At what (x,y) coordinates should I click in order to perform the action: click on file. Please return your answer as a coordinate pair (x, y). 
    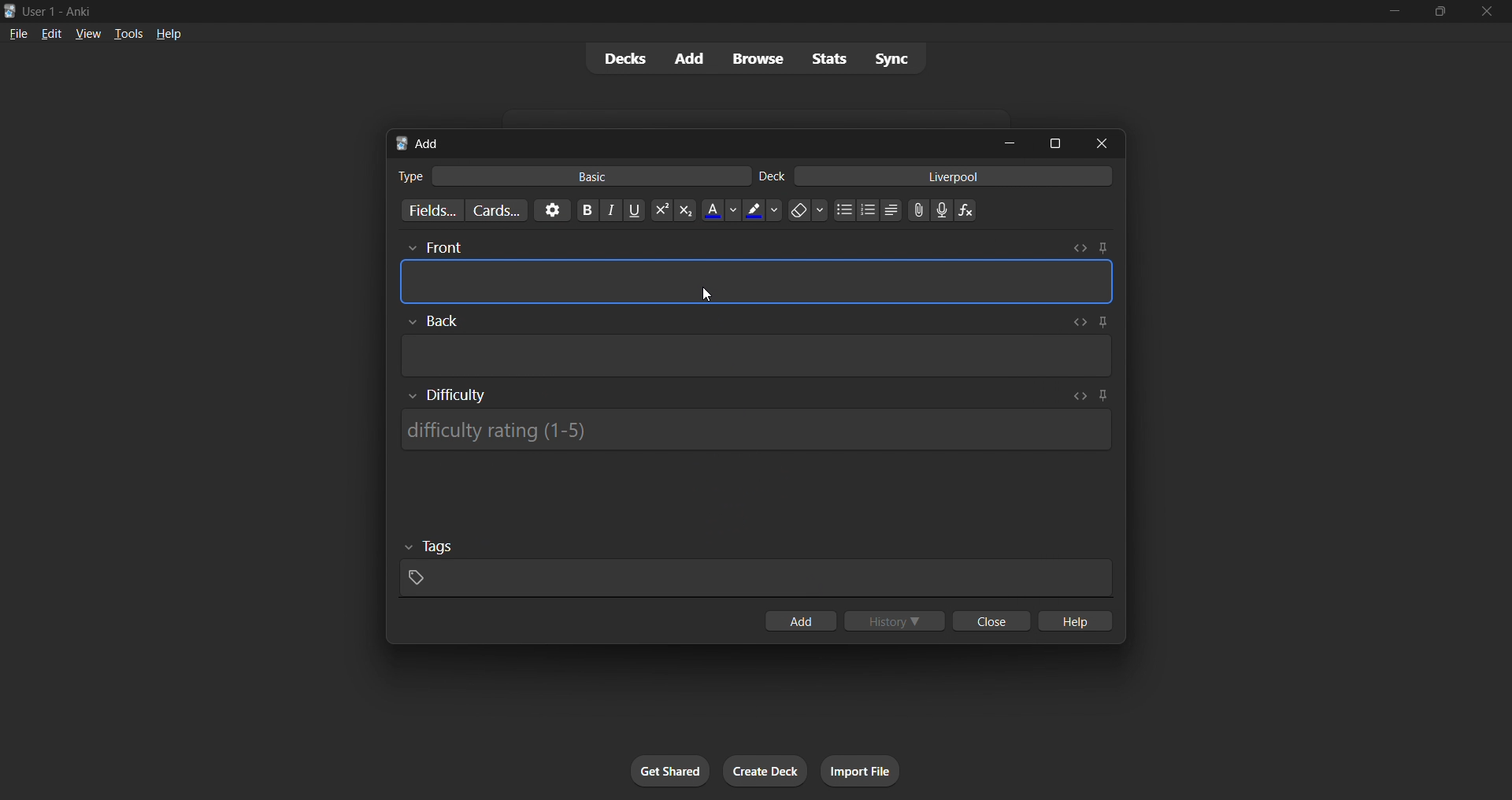
    Looking at the image, I should click on (18, 32).